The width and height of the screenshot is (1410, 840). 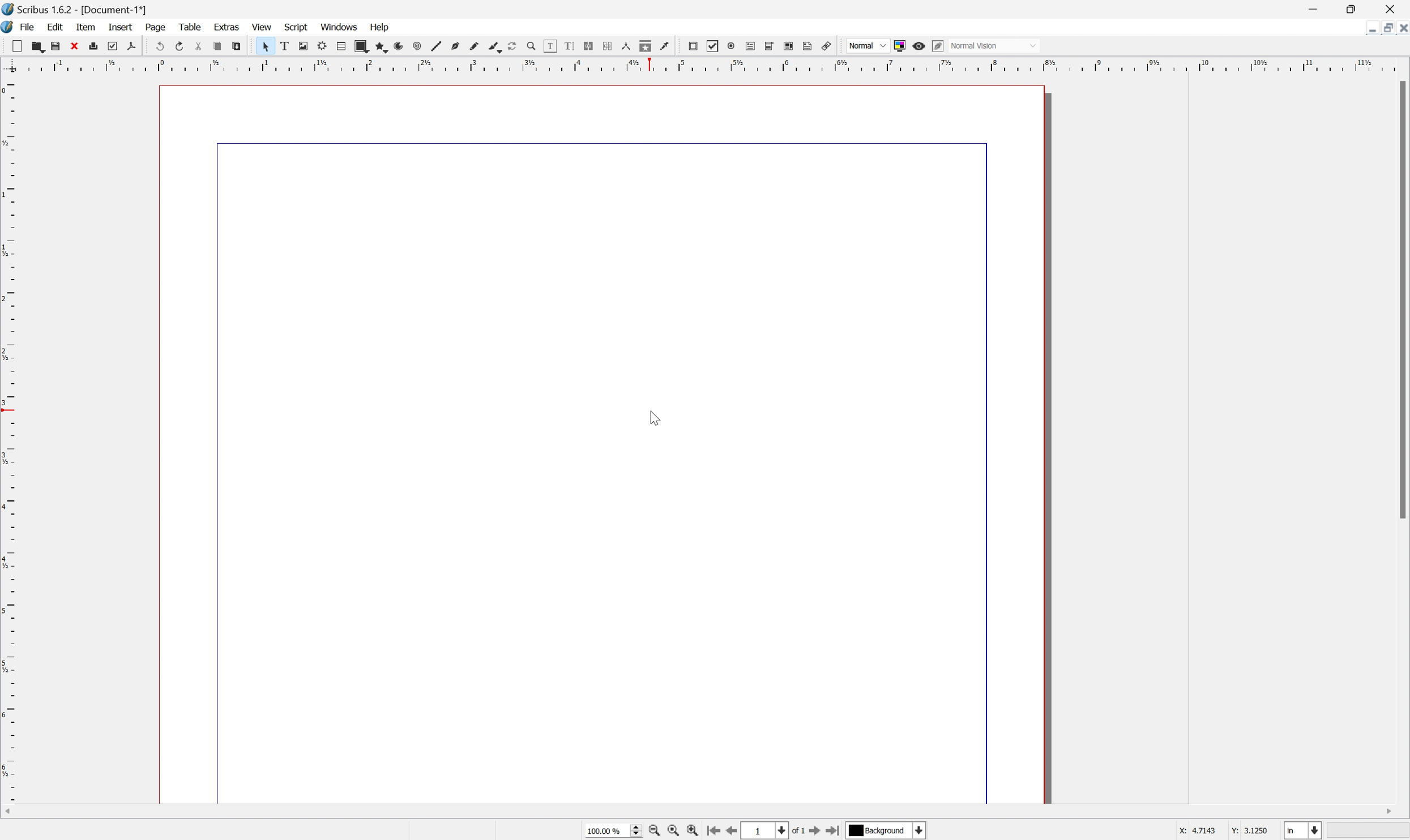 What do you see at coordinates (121, 28) in the screenshot?
I see `insert` at bounding box center [121, 28].